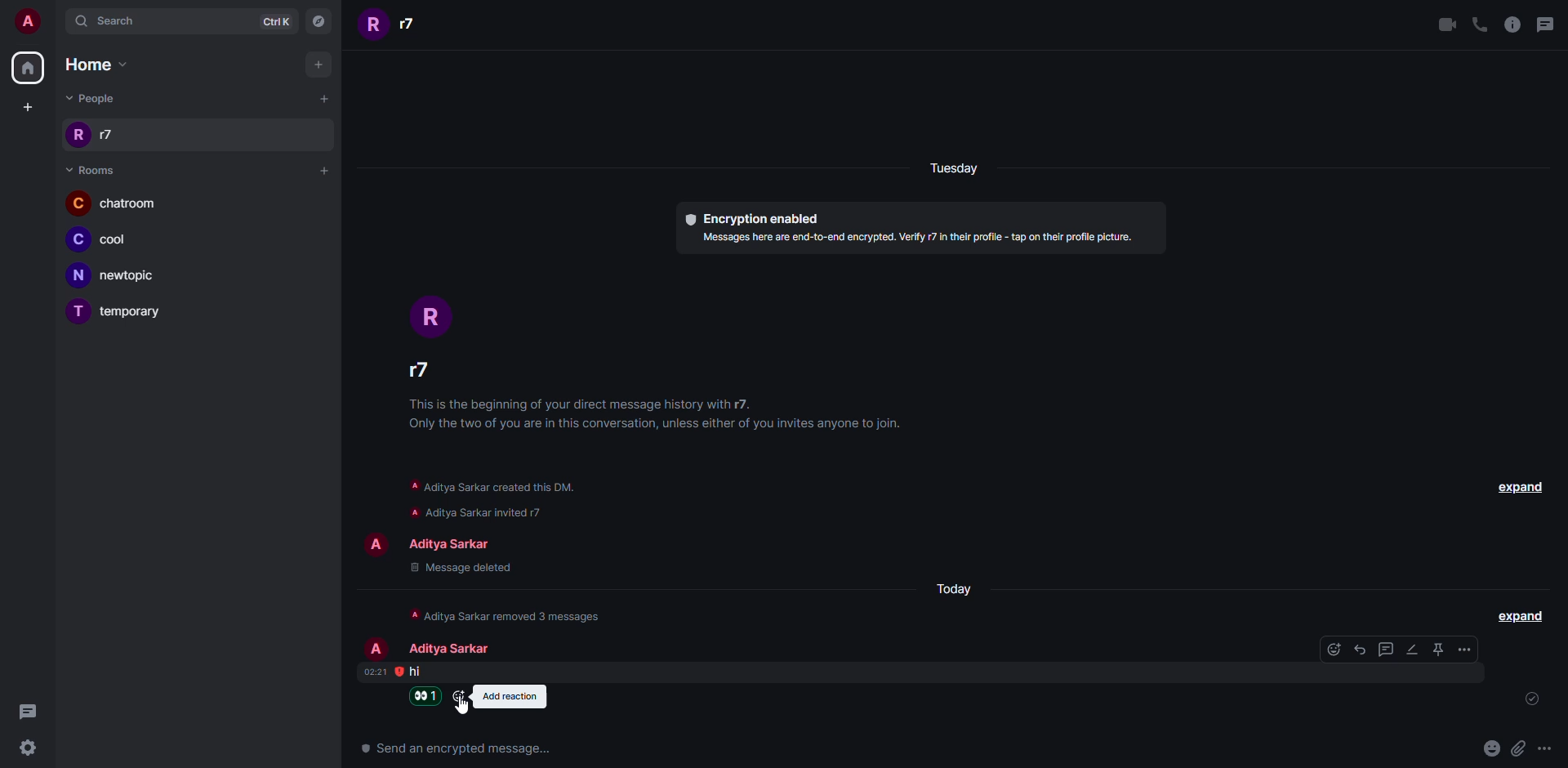 The height and width of the screenshot is (768, 1568). Describe the element at coordinates (94, 98) in the screenshot. I see `people` at that location.